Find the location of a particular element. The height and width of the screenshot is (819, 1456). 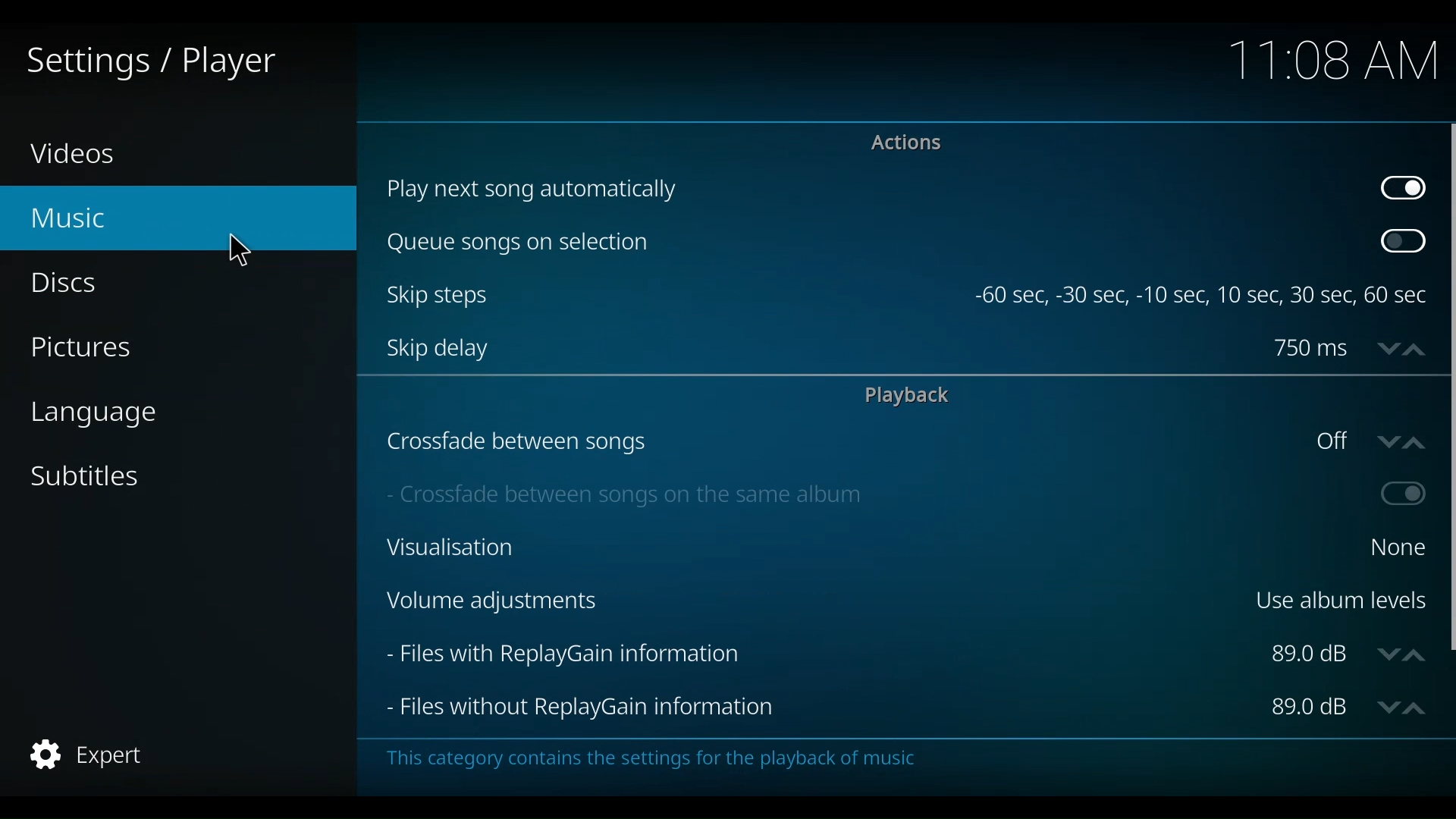

Skip delay in ms is located at coordinates (1311, 348).